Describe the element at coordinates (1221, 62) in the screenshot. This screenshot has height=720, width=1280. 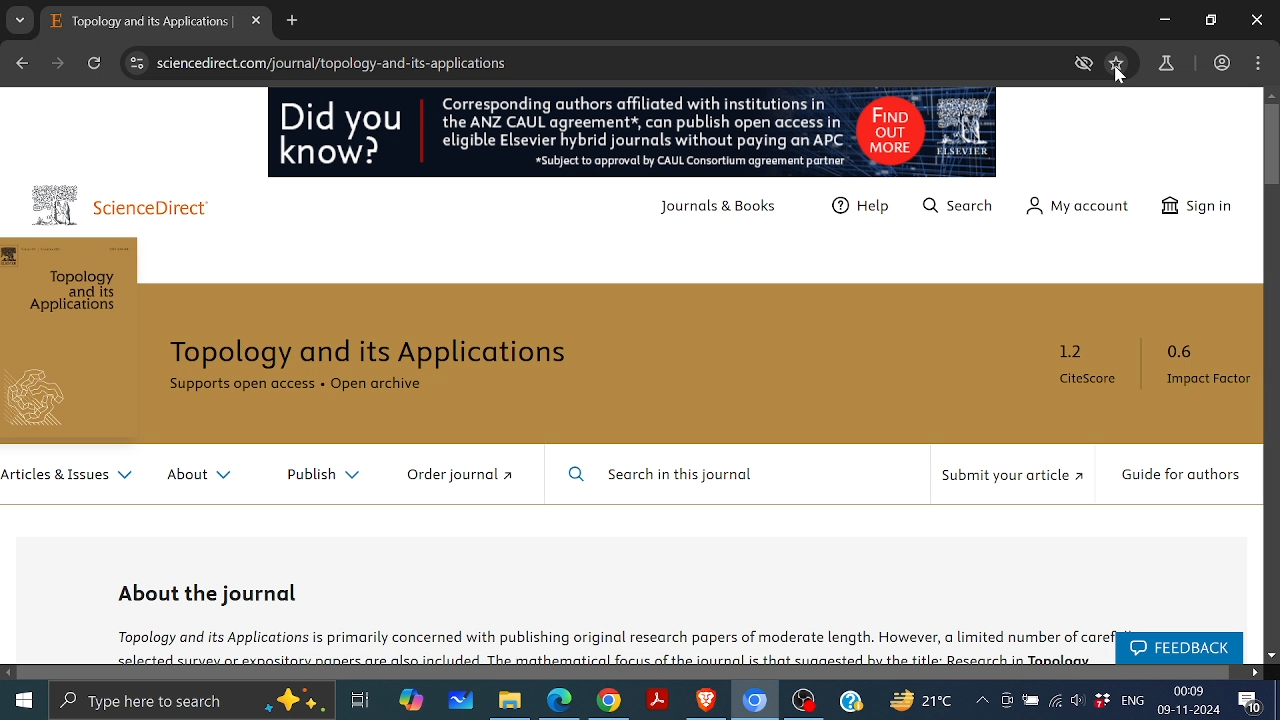
I see `Work` at that location.